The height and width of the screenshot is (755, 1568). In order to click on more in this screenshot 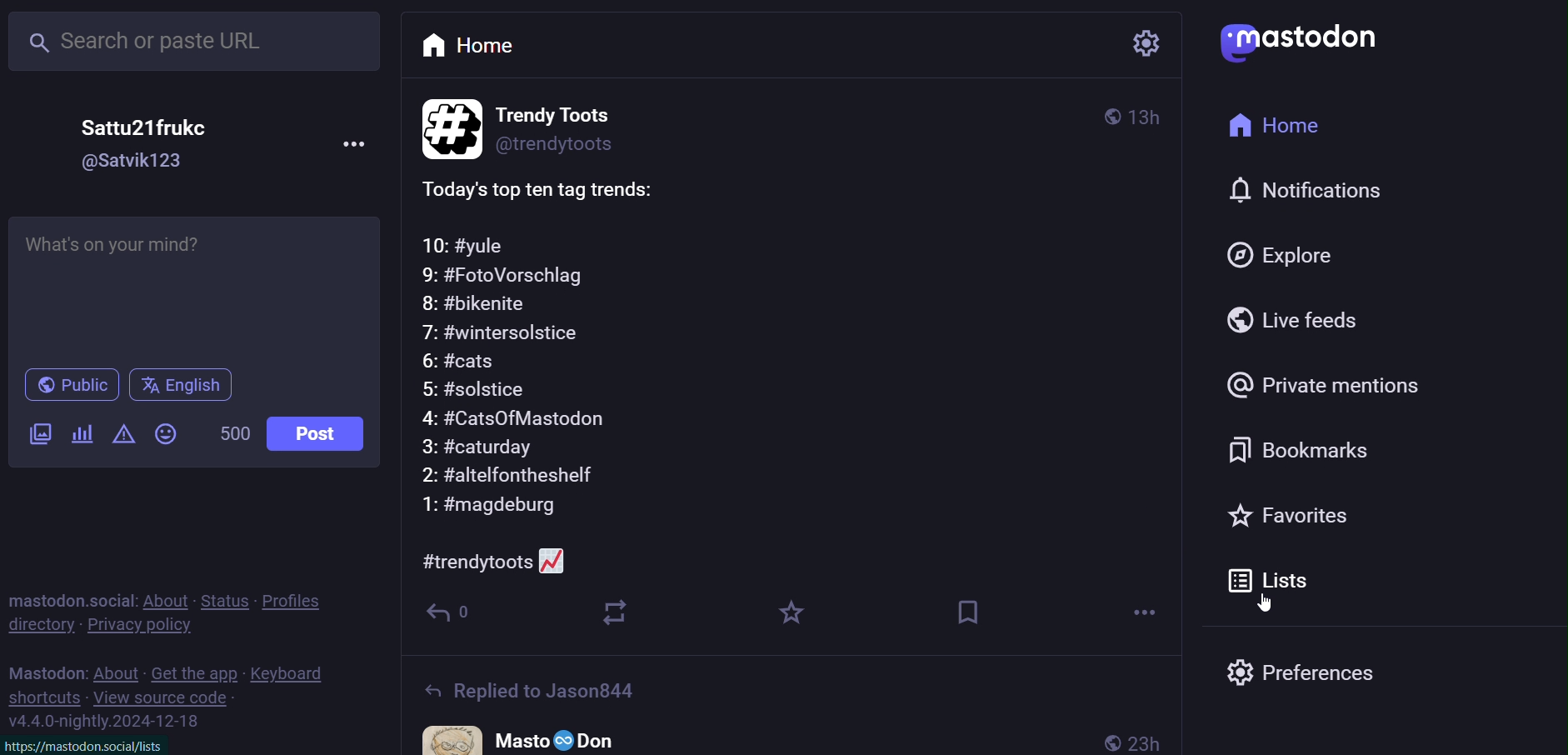, I will do `click(1130, 612)`.